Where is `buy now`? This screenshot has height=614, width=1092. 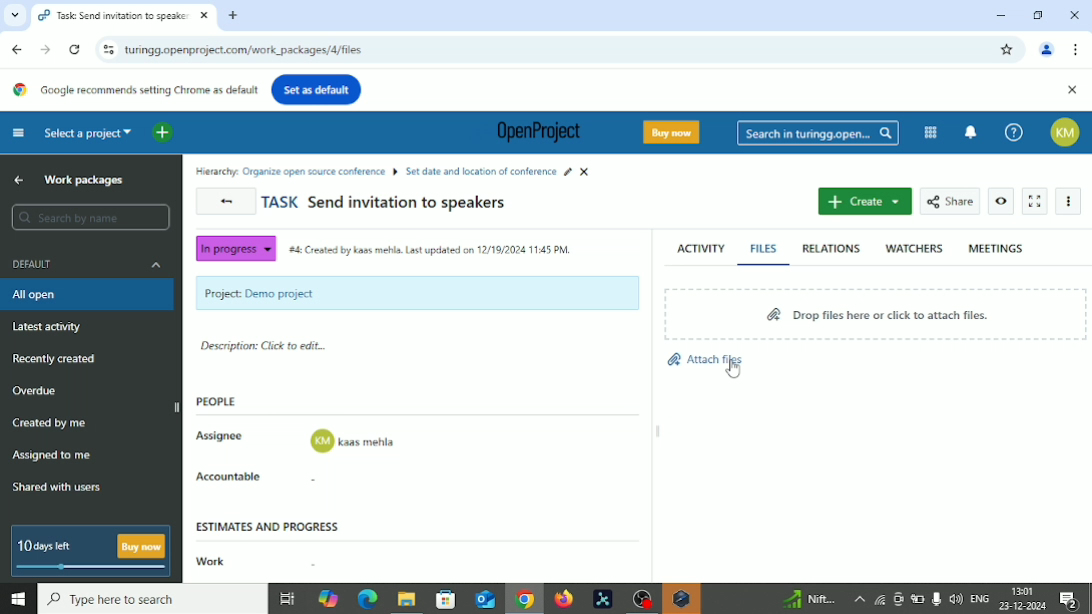 buy now is located at coordinates (142, 546).